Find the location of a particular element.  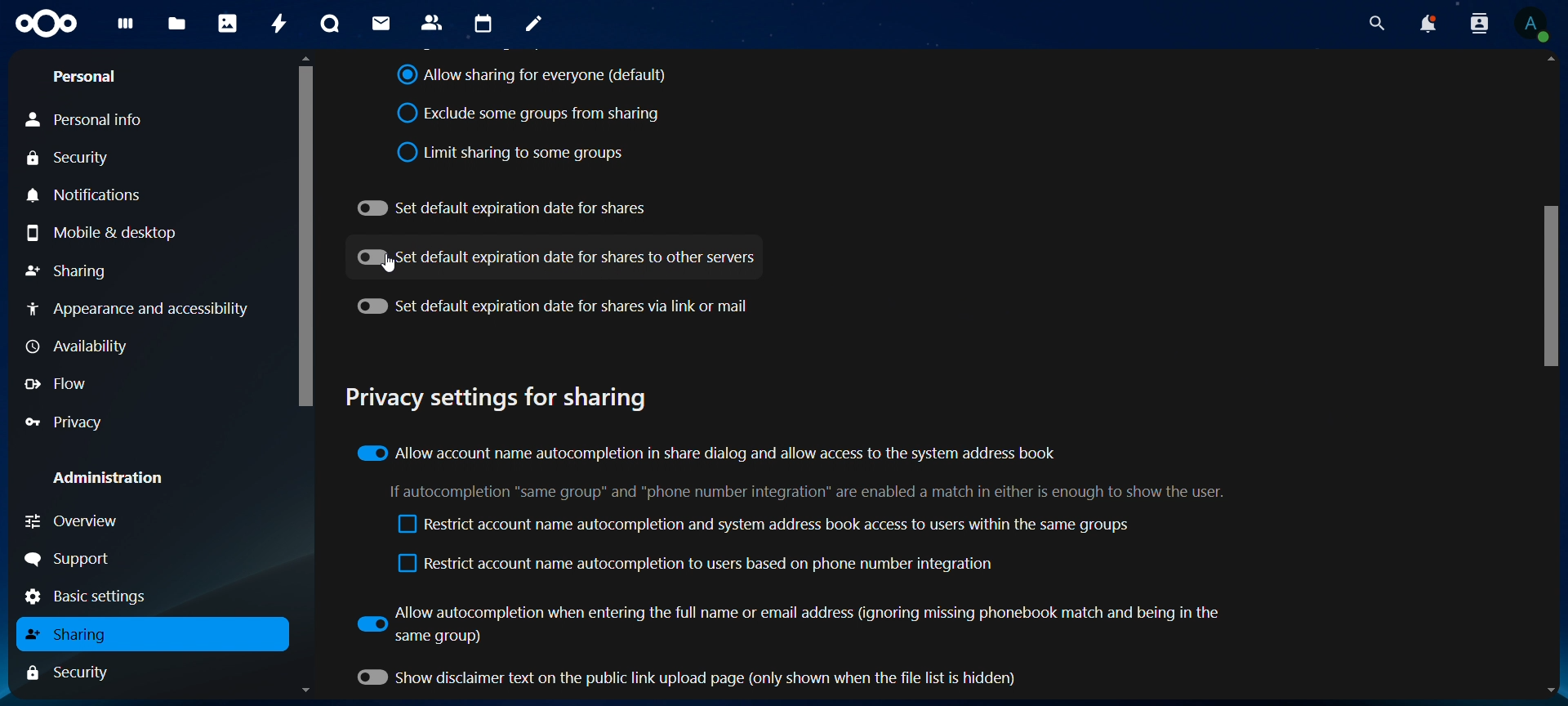

set default expiration date for shares via link or mail is located at coordinates (559, 304).